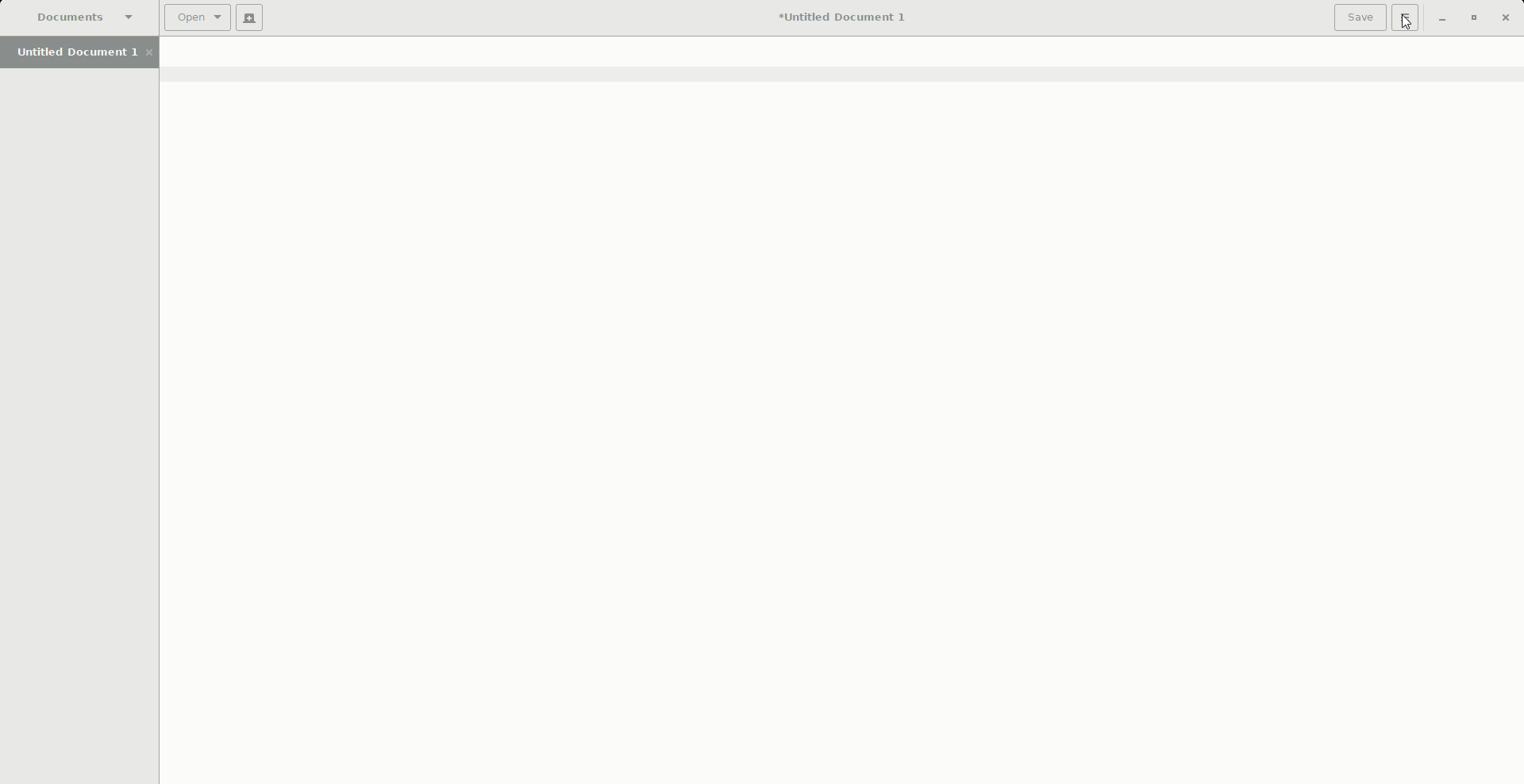 The height and width of the screenshot is (784, 1524). Describe the element at coordinates (84, 54) in the screenshot. I see `Untitled Document 1` at that location.